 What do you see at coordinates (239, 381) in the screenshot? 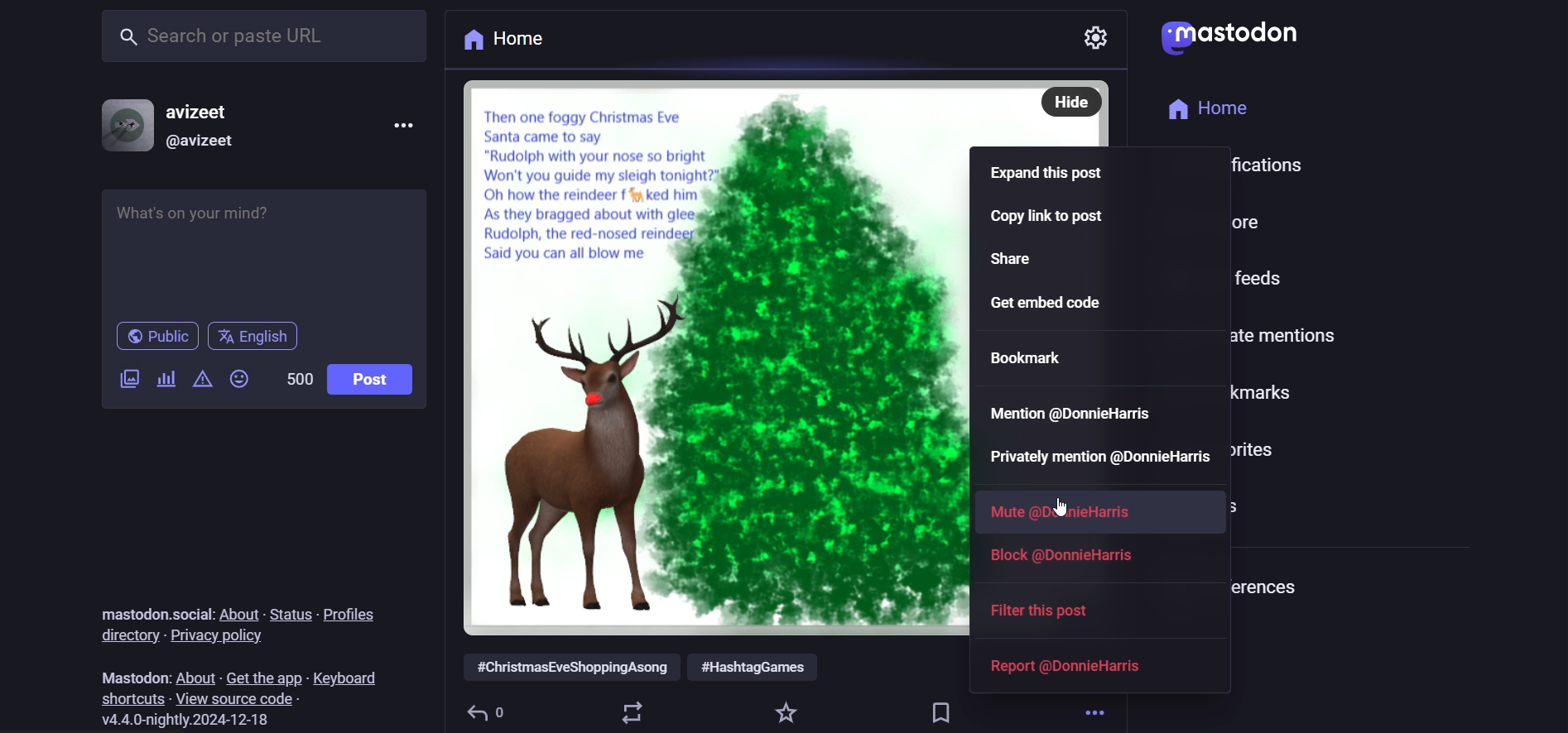
I see `emoji` at bounding box center [239, 381].